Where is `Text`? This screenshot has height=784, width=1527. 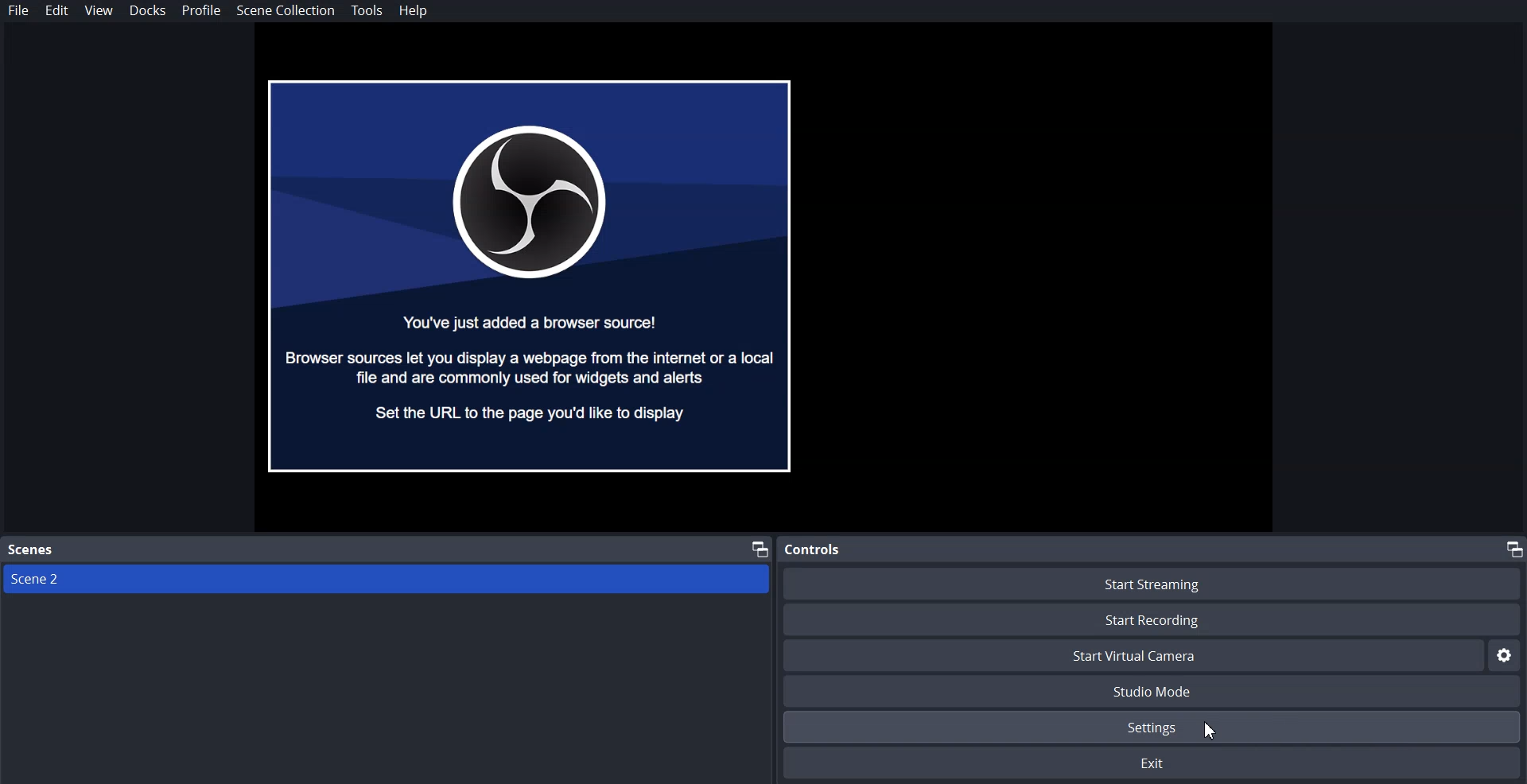 Text is located at coordinates (31, 550).